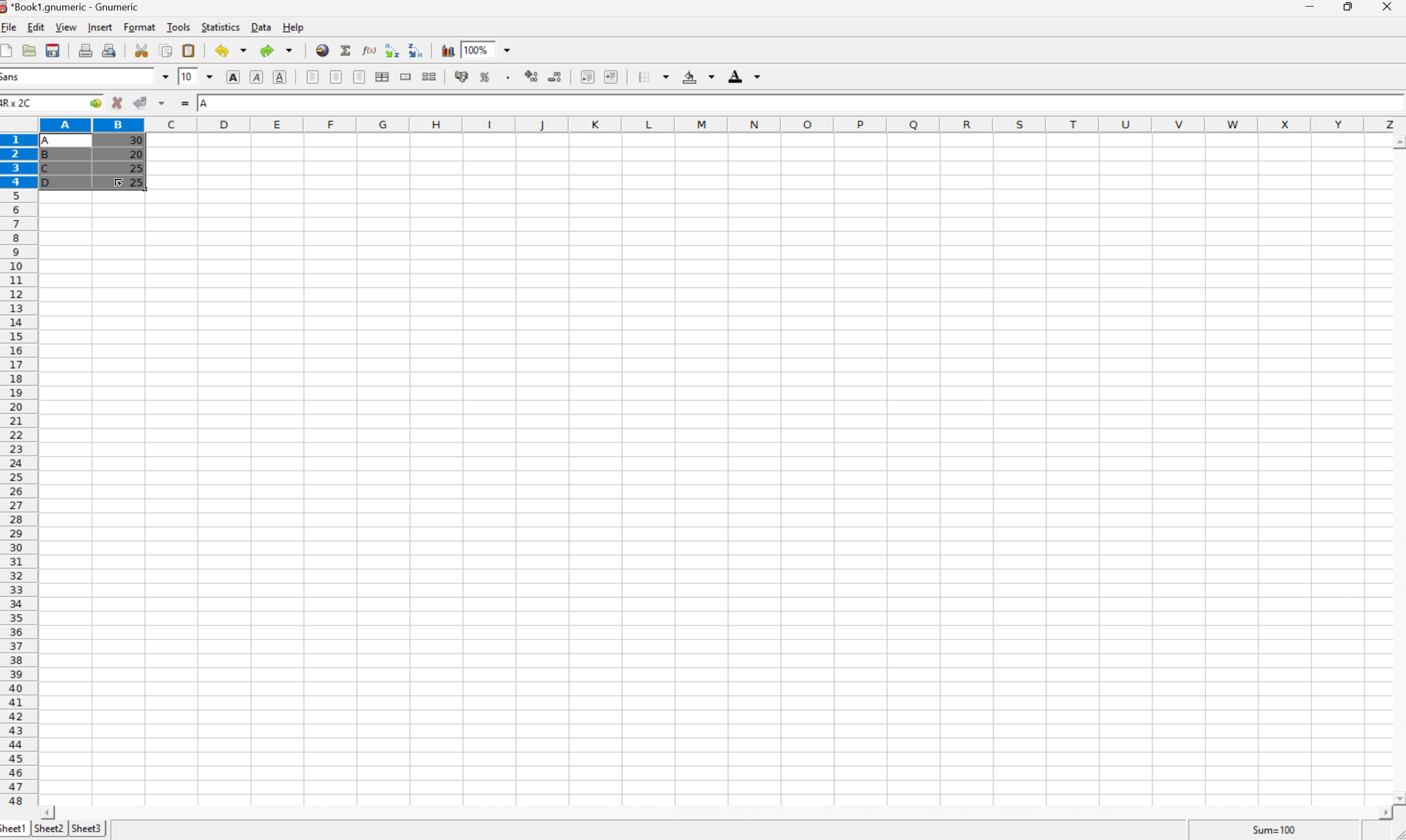 Image resolution: width=1406 pixels, height=840 pixels. What do you see at coordinates (721, 123) in the screenshot?
I see `Column names` at bounding box center [721, 123].